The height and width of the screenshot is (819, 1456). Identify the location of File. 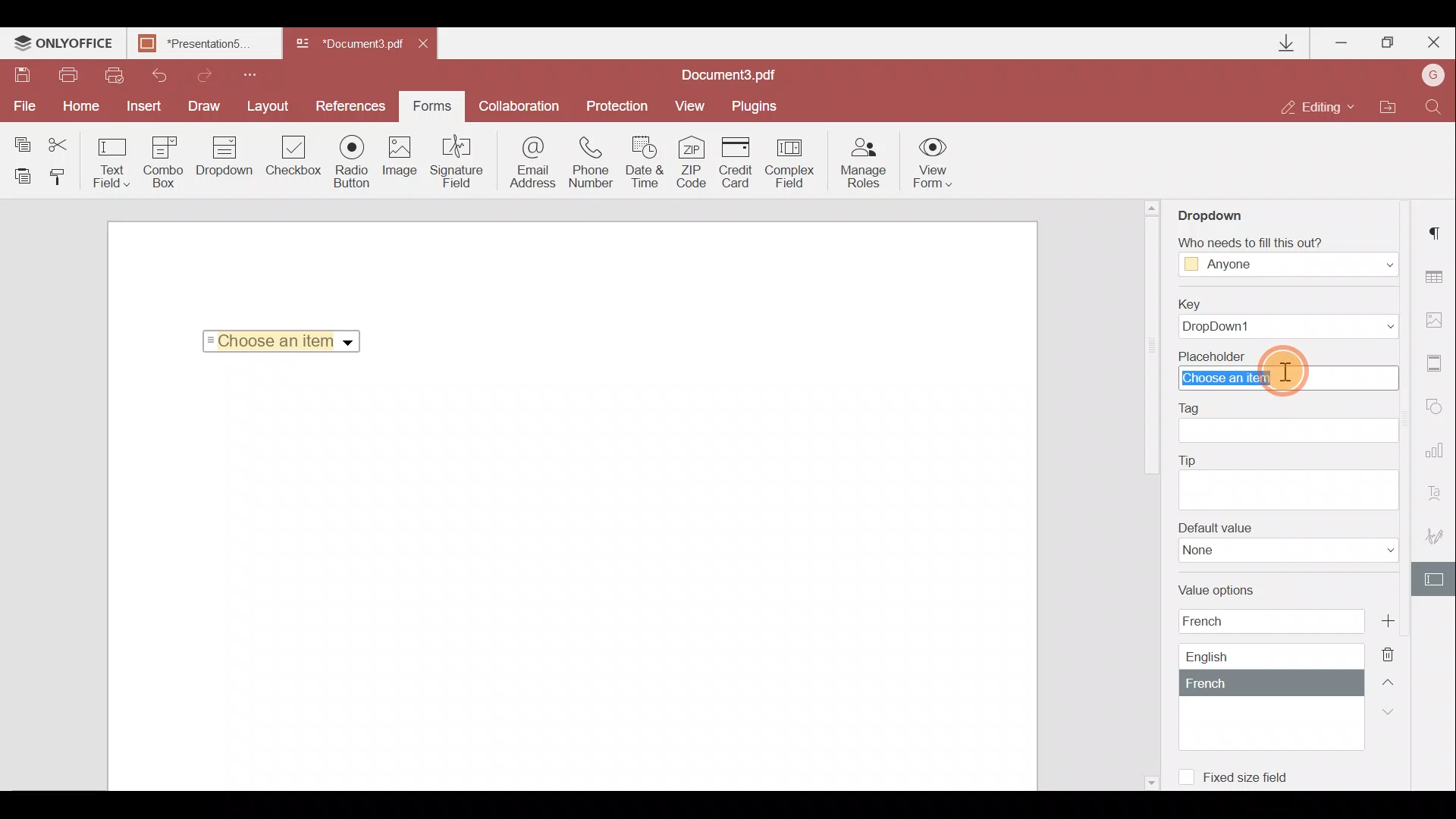
(23, 106).